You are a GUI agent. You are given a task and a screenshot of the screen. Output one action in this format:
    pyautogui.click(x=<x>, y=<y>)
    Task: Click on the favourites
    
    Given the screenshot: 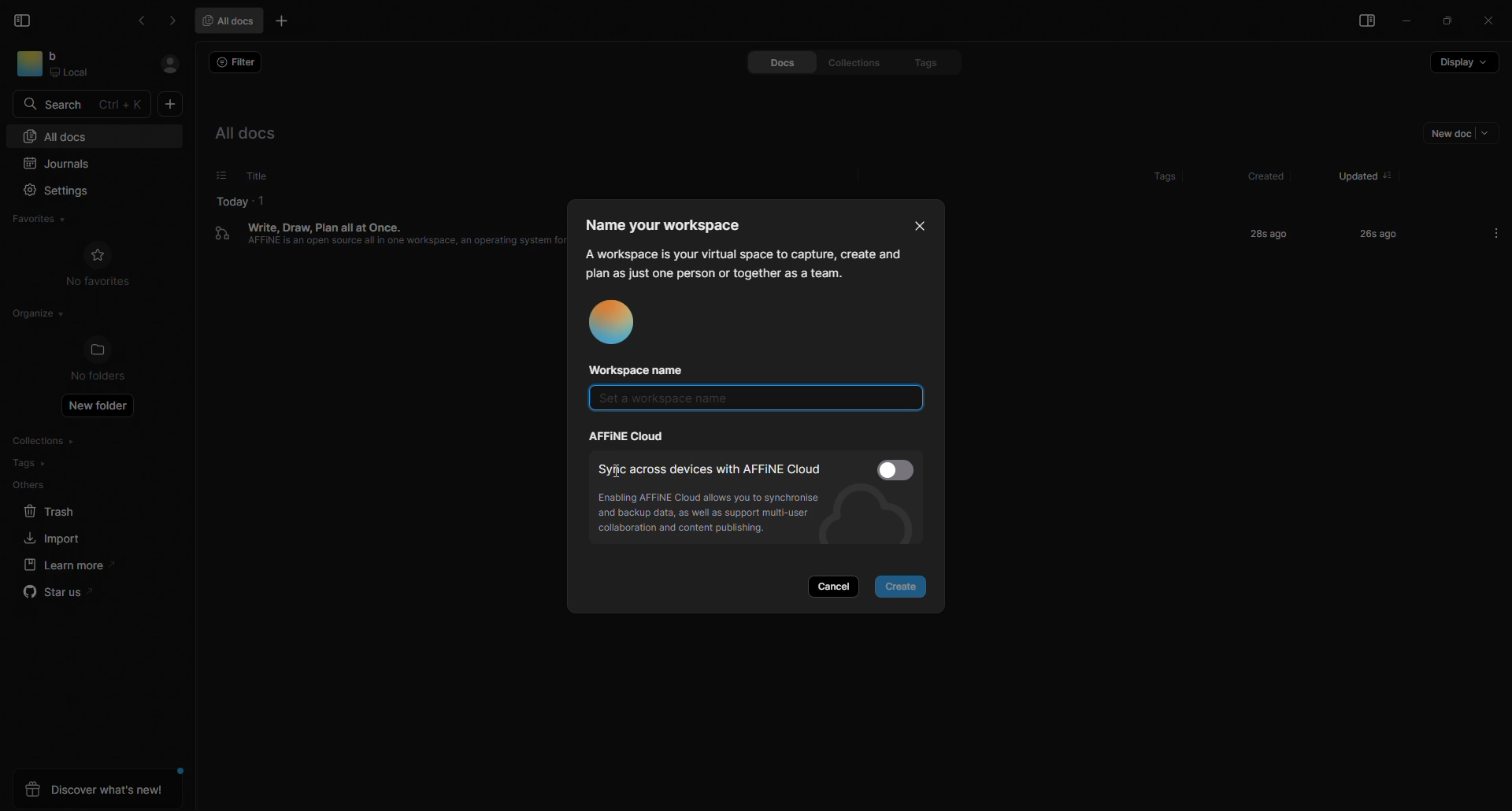 What is the action you would take?
    pyautogui.click(x=47, y=217)
    